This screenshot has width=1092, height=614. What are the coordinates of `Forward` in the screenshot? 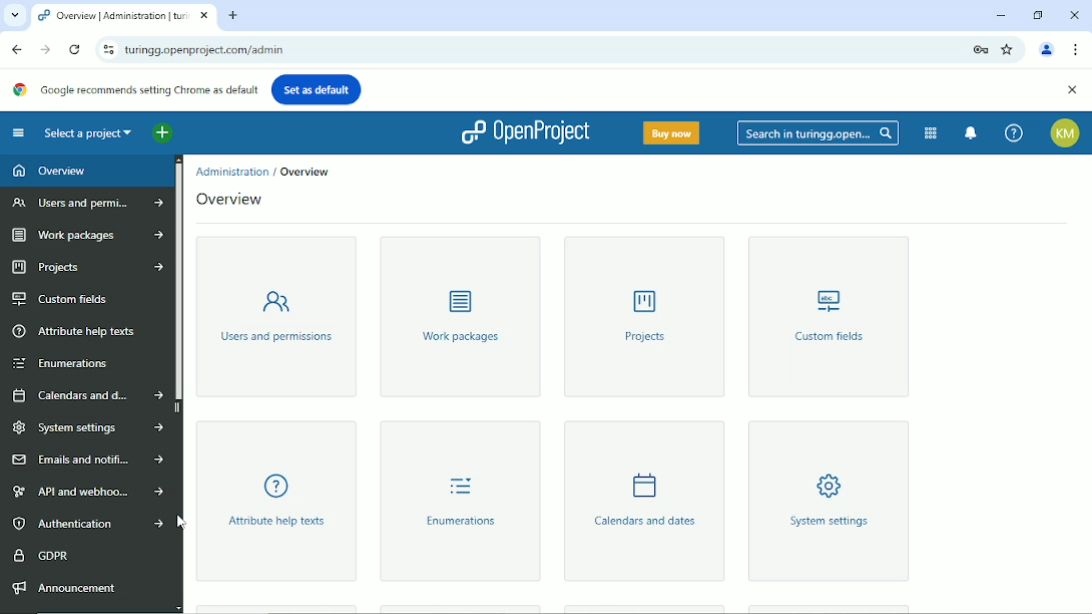 It's located at (44, 49).